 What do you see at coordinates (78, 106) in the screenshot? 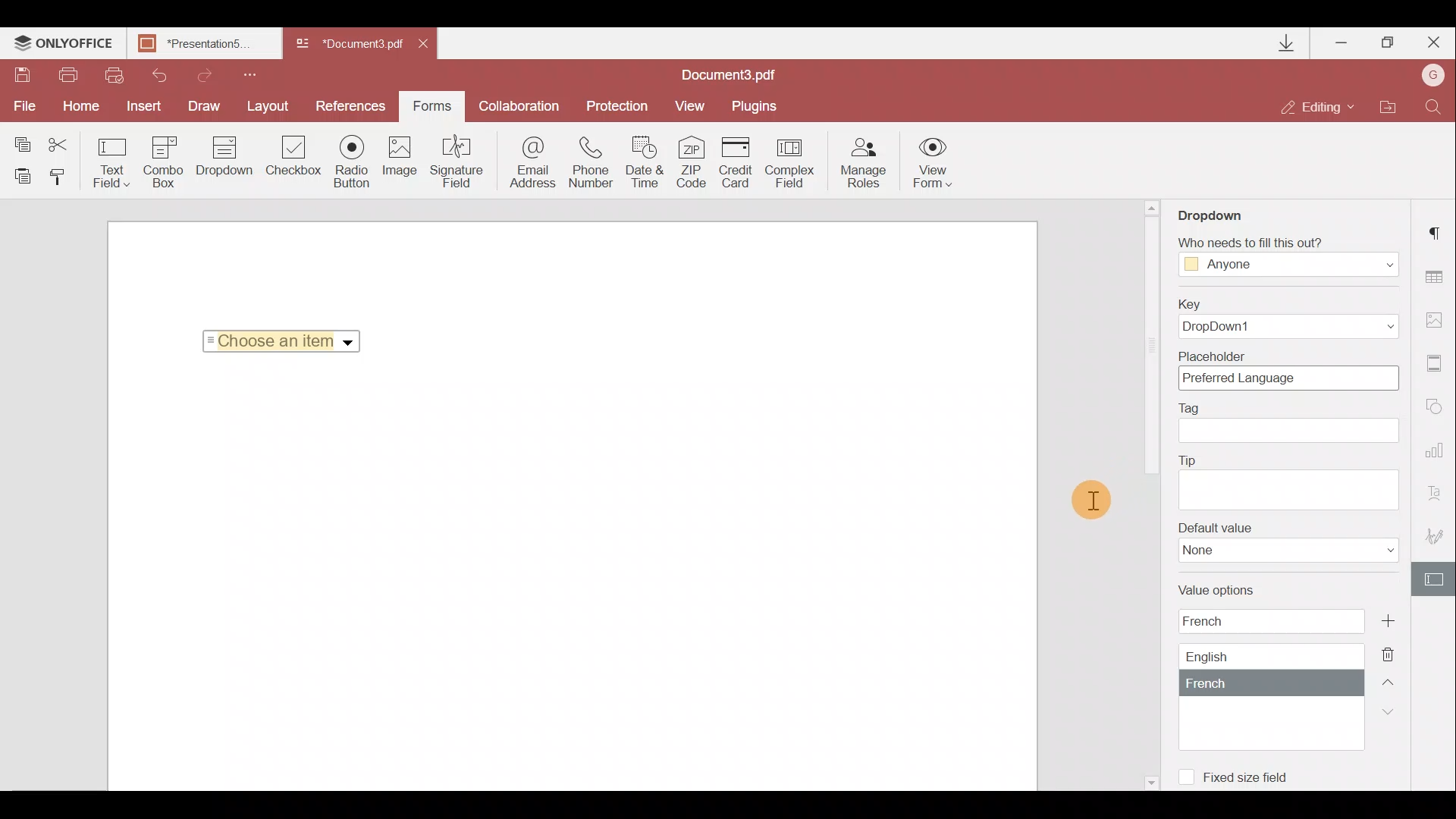
I see `Home` at bounding box center [78, 106].